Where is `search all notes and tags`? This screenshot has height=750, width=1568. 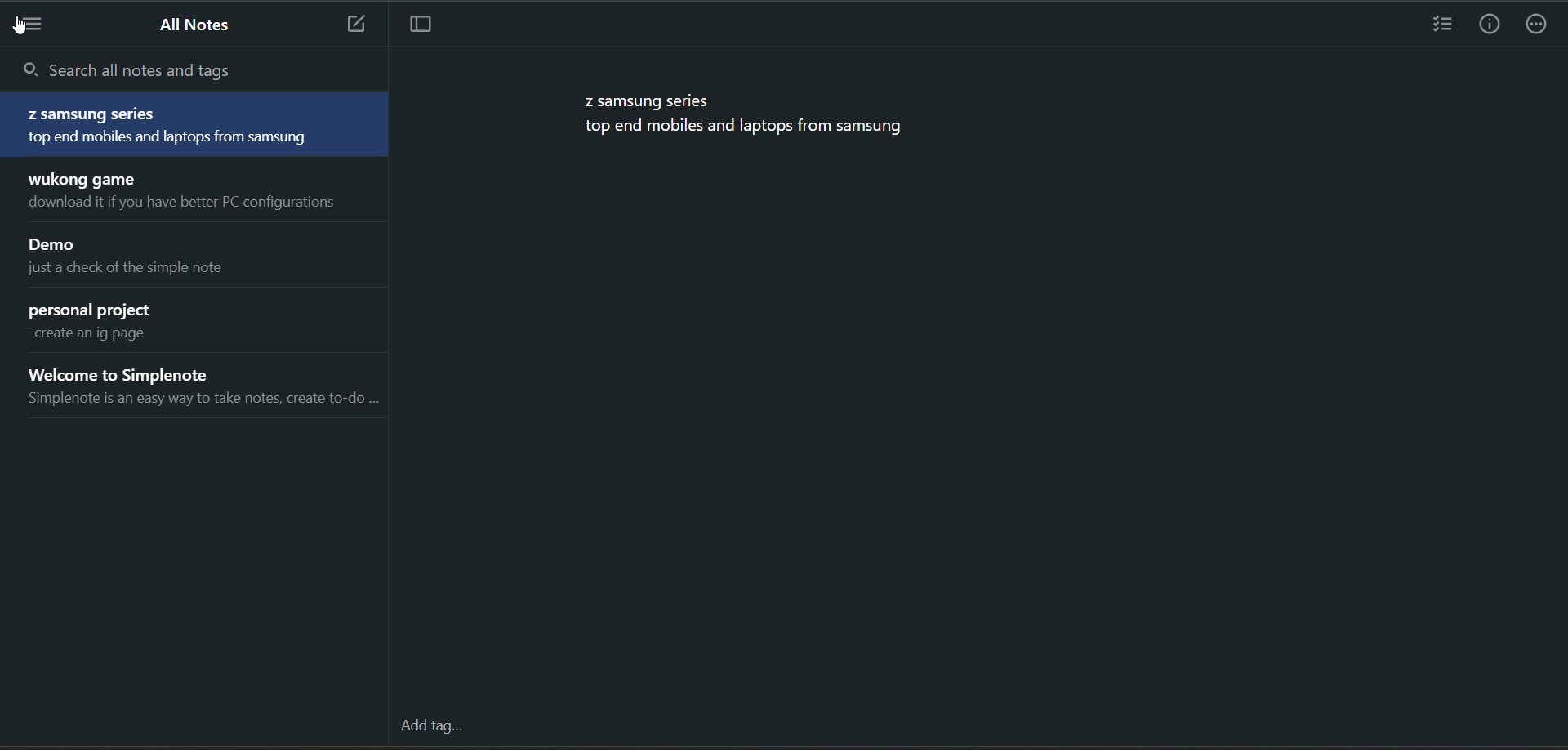 search all notes and tags is located at coordinates (195, 71).